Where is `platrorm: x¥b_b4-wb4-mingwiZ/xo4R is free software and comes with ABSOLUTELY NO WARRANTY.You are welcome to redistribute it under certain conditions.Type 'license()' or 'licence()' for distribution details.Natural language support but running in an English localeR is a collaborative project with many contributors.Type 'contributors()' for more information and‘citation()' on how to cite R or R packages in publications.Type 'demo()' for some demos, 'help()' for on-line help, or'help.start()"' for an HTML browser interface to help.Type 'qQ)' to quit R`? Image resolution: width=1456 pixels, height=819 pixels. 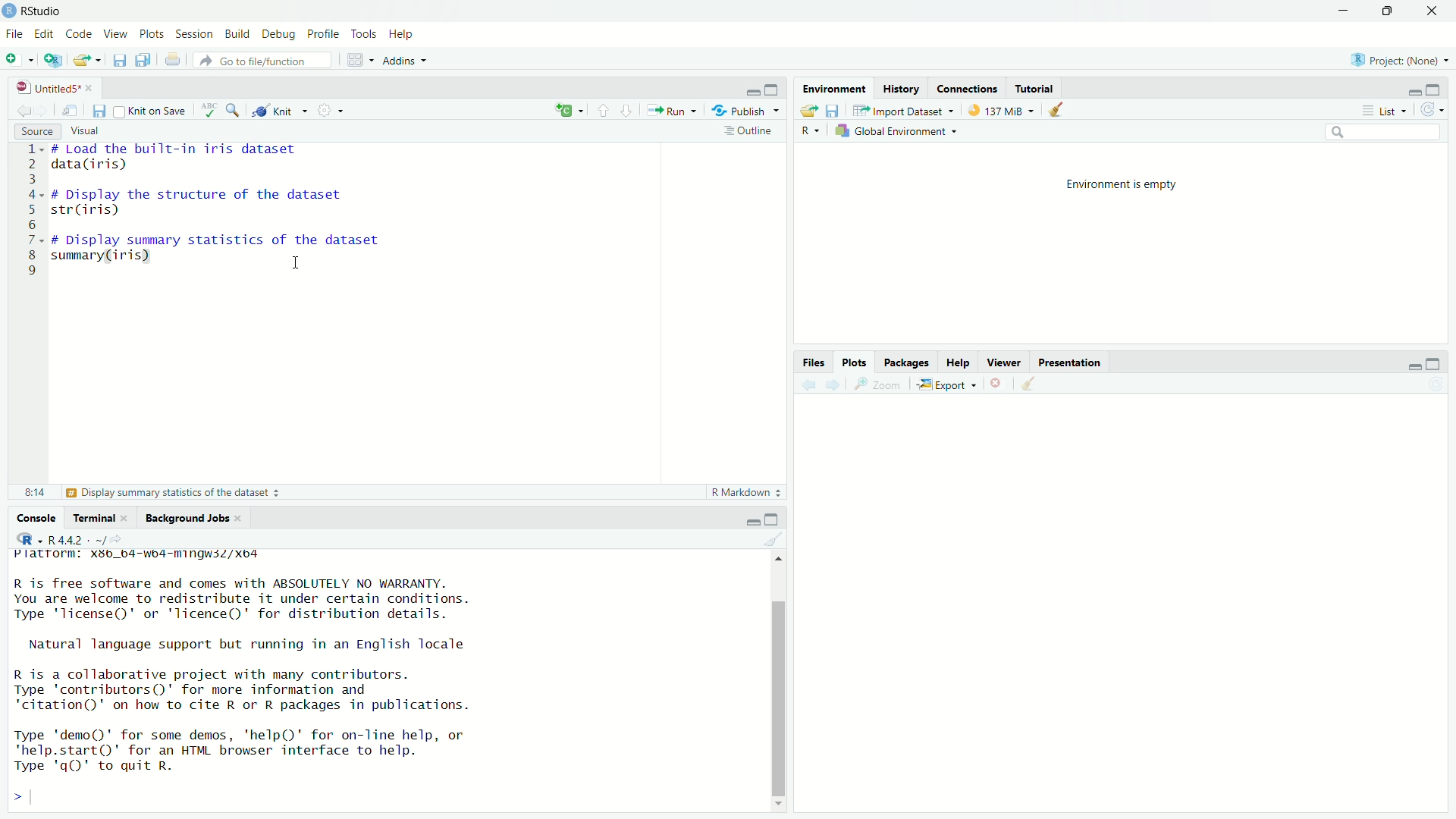 platrorm: x¥b_b4-wb4-mingwiZ/xo4R is free software and comes with ABSOLUTELY NO WARRANTY.You are welcome to redistribute it under certain conditions.Type 'license()' or 'licence()' for distribution details.Natural language support but running in an English localeR is a collaborative project with many contributors.Type 'contributors()' for more information and‘citation()' on how to cite R or R packages in publications.Type 'demo()' for some demos, 'help()' for on-line help, or'help.start()"' for an HTML browser interface to help.Type 'qQ)' to quit R is located at coordinates (383, 680).